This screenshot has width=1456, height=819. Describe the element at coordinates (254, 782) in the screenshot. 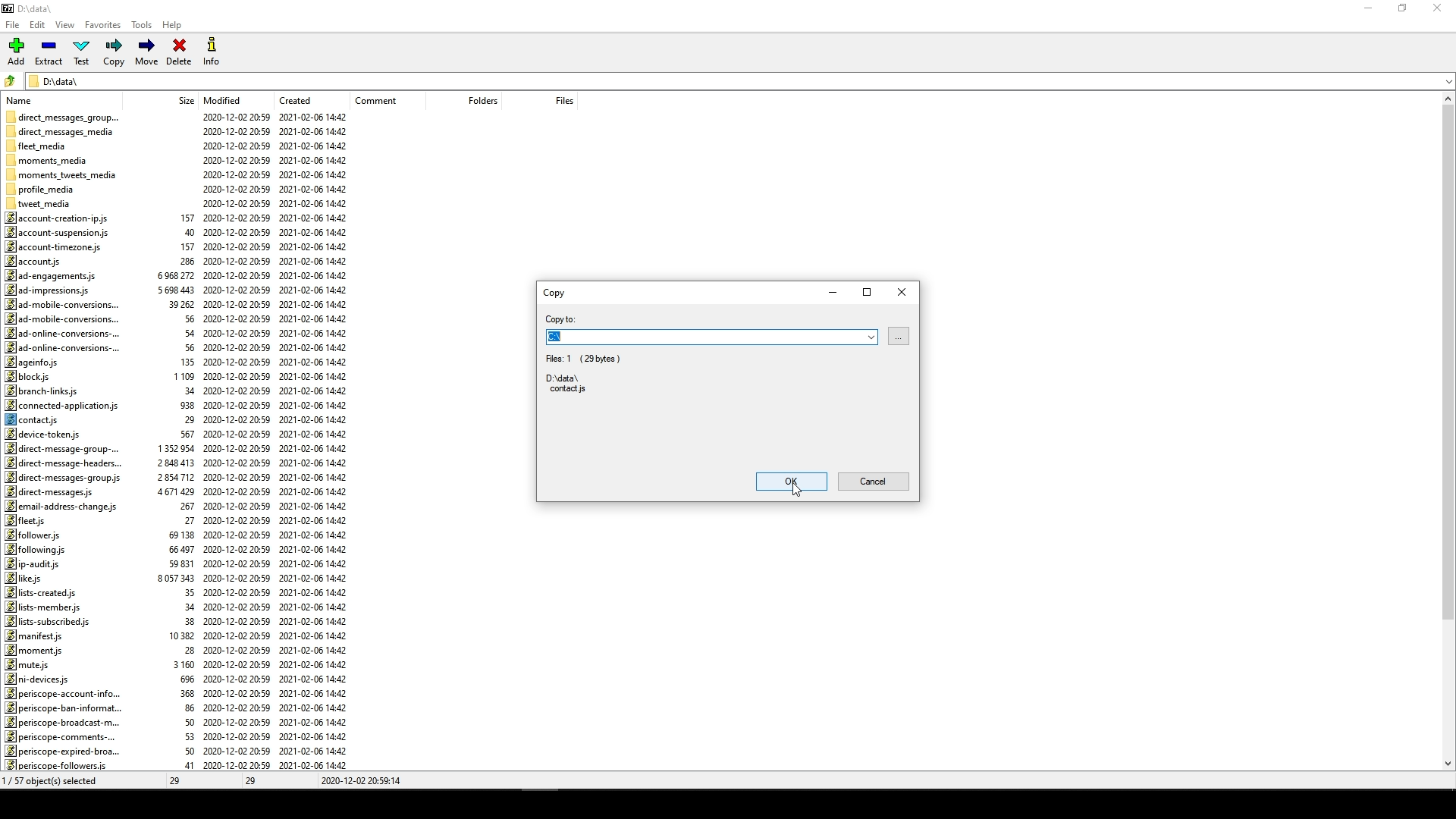

I see `29` at that location.